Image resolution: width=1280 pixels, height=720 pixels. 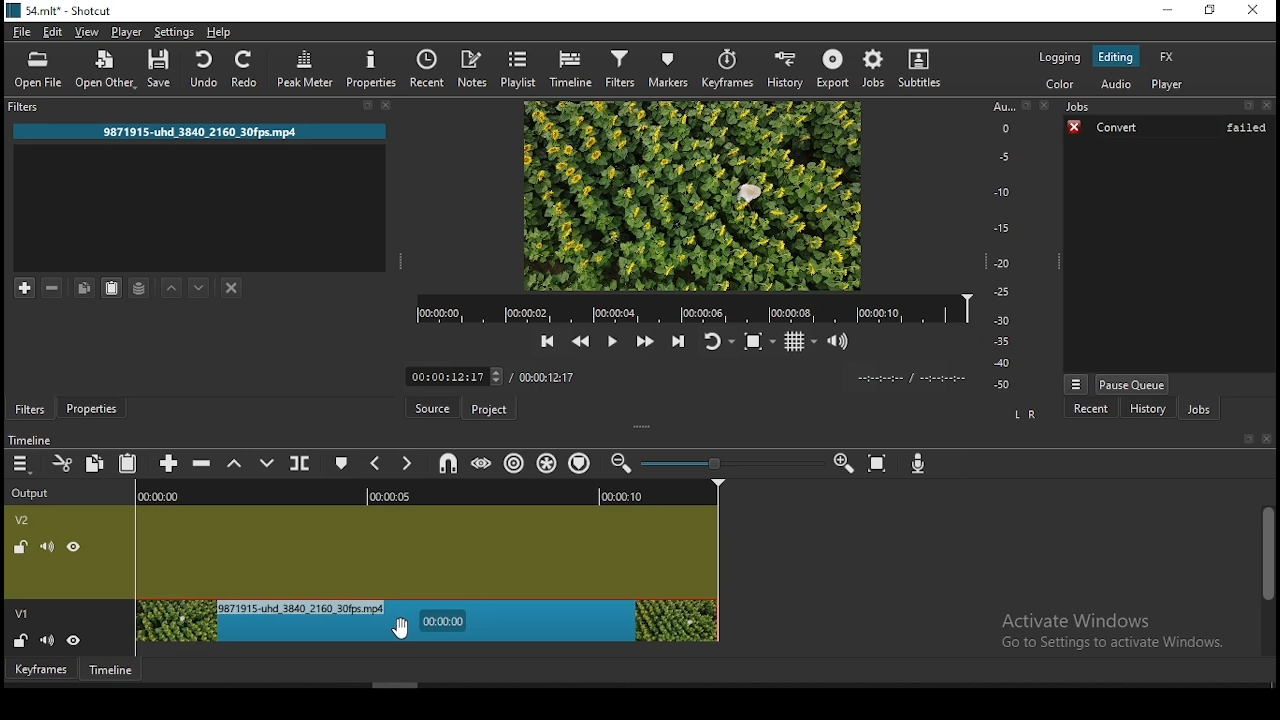 I want to click on total time, so click(x=547, y=380).